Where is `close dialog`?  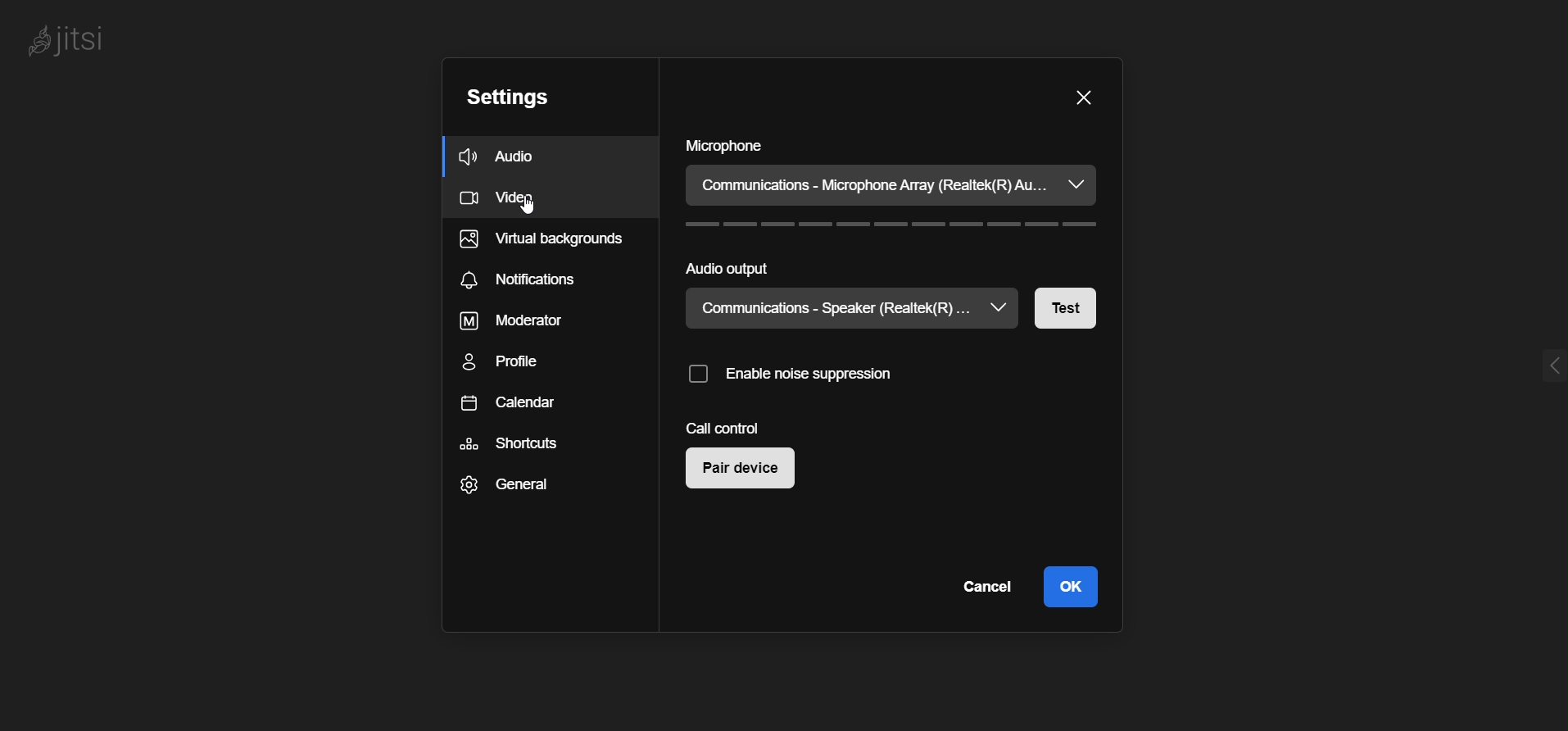 close dialog is located at coordinates (1084, 99).